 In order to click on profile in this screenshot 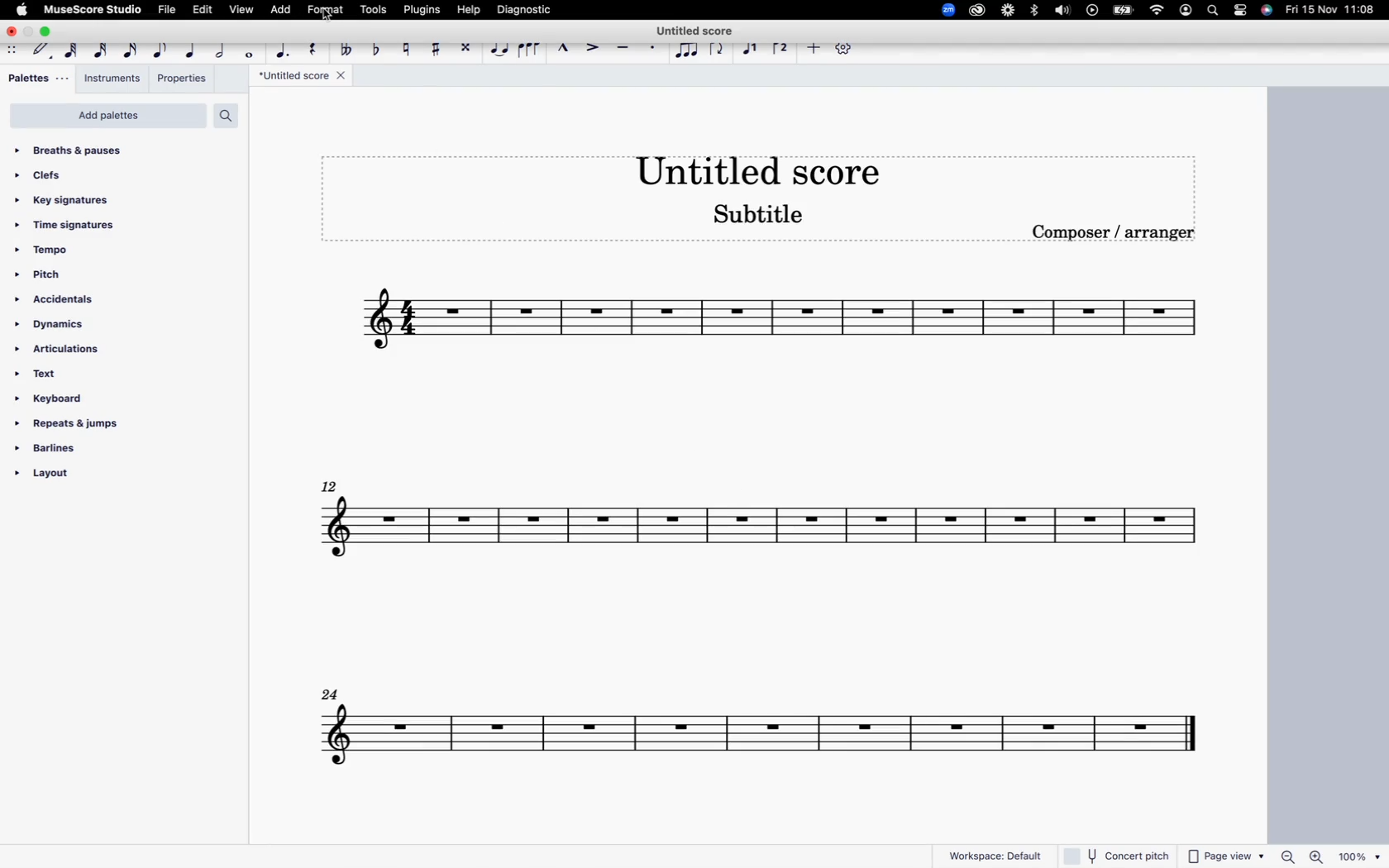, I will do `click(1186, 17)`.